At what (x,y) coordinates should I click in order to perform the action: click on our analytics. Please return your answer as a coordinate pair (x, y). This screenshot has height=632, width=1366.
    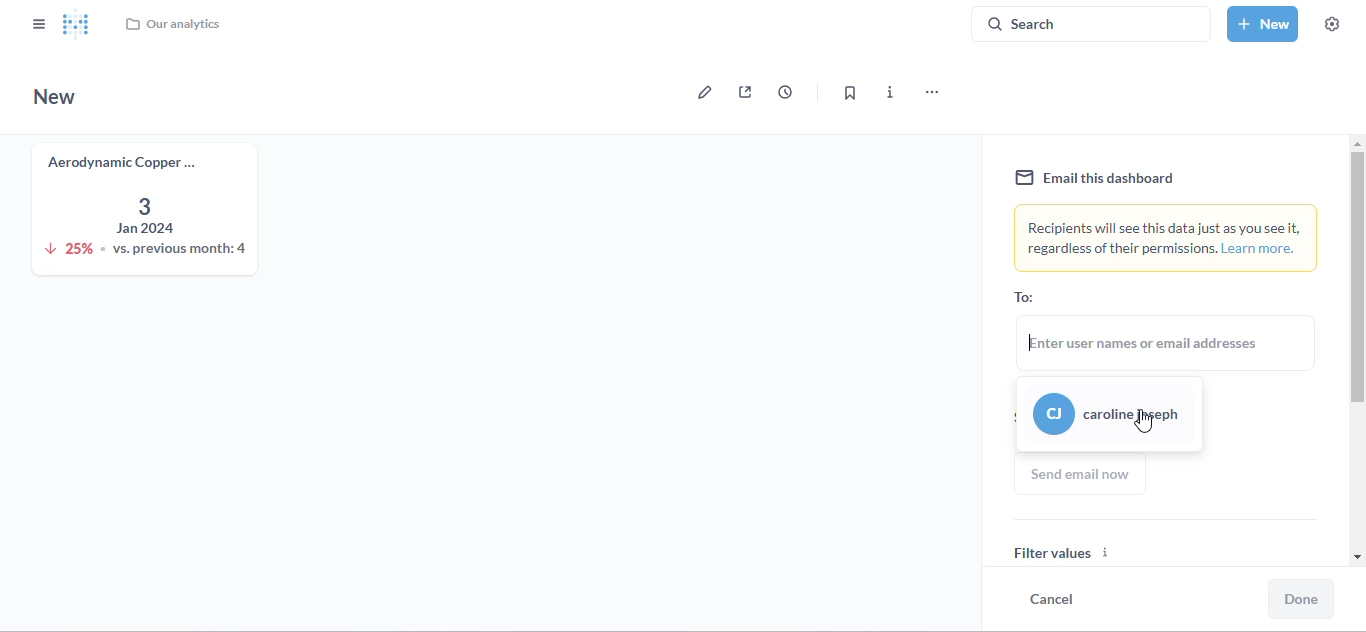
    Looking at the image, I should click on (172, 24).